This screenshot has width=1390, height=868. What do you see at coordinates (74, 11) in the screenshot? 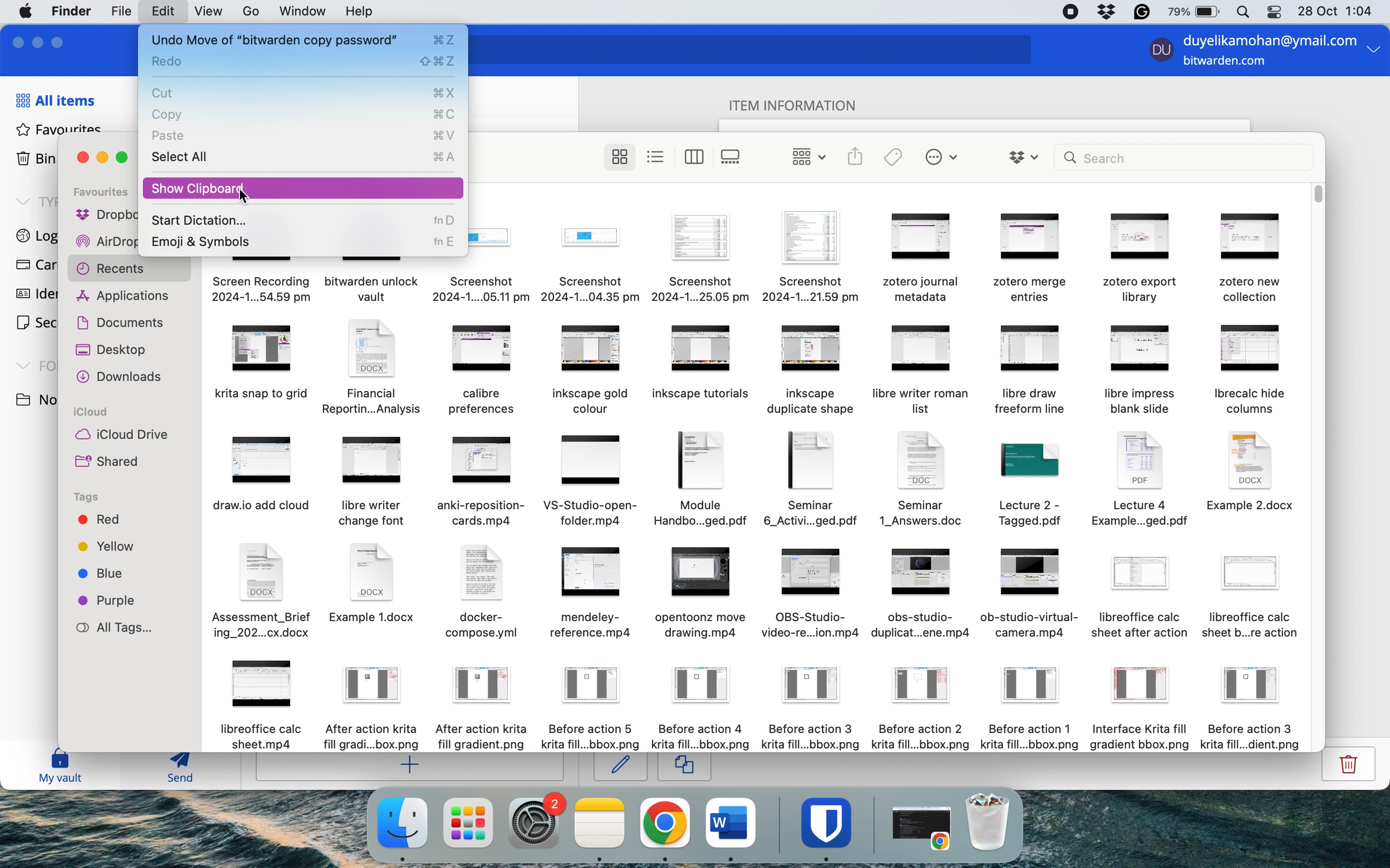
I see `finder` at bounding box center [74, 11].